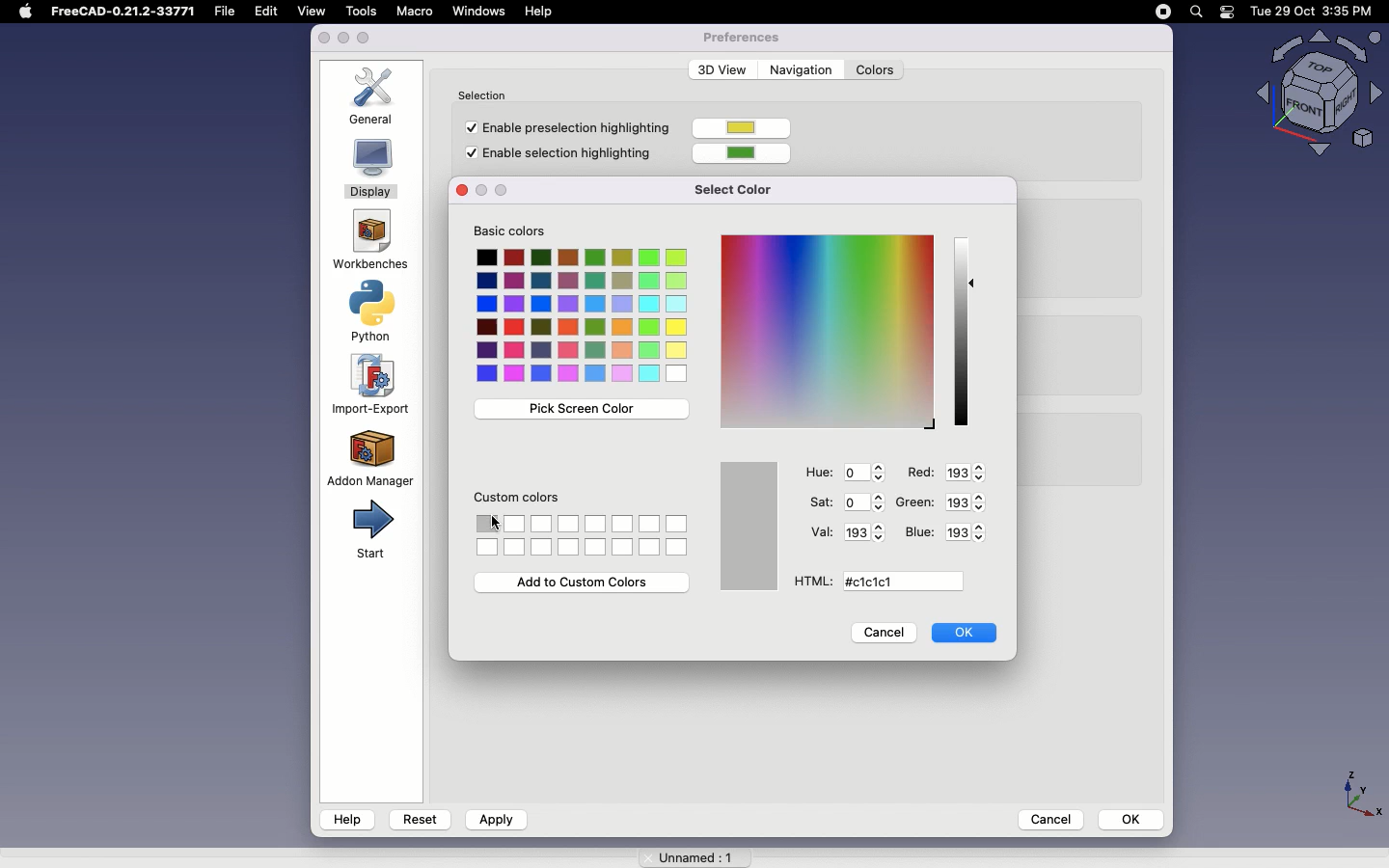  Describe the element at coordinates (347, 819) in the screenshot. I see `Help` at that location.